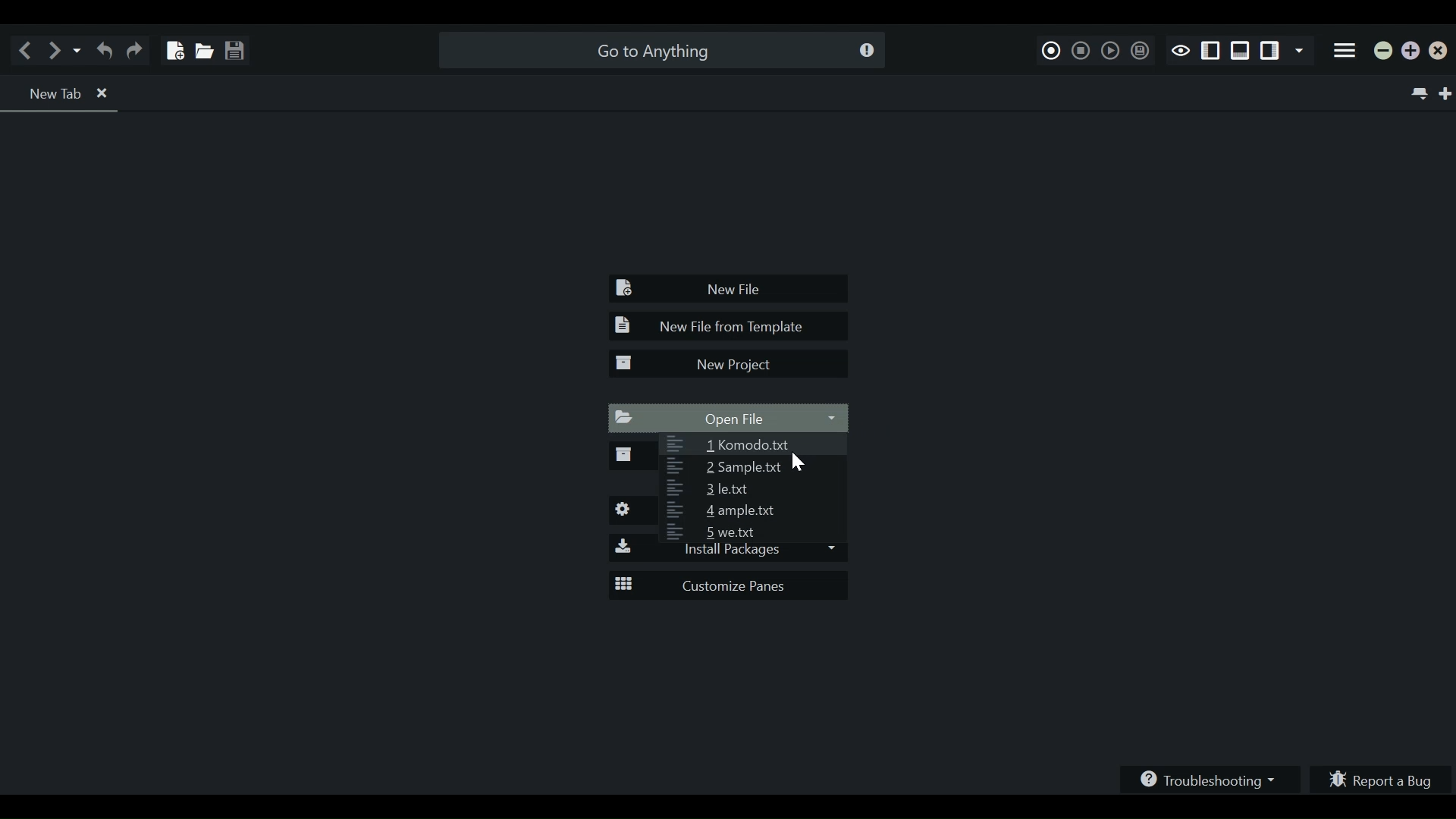 This screenshot has width=1456, height=819. I want to click on Search, so click(659, 50).